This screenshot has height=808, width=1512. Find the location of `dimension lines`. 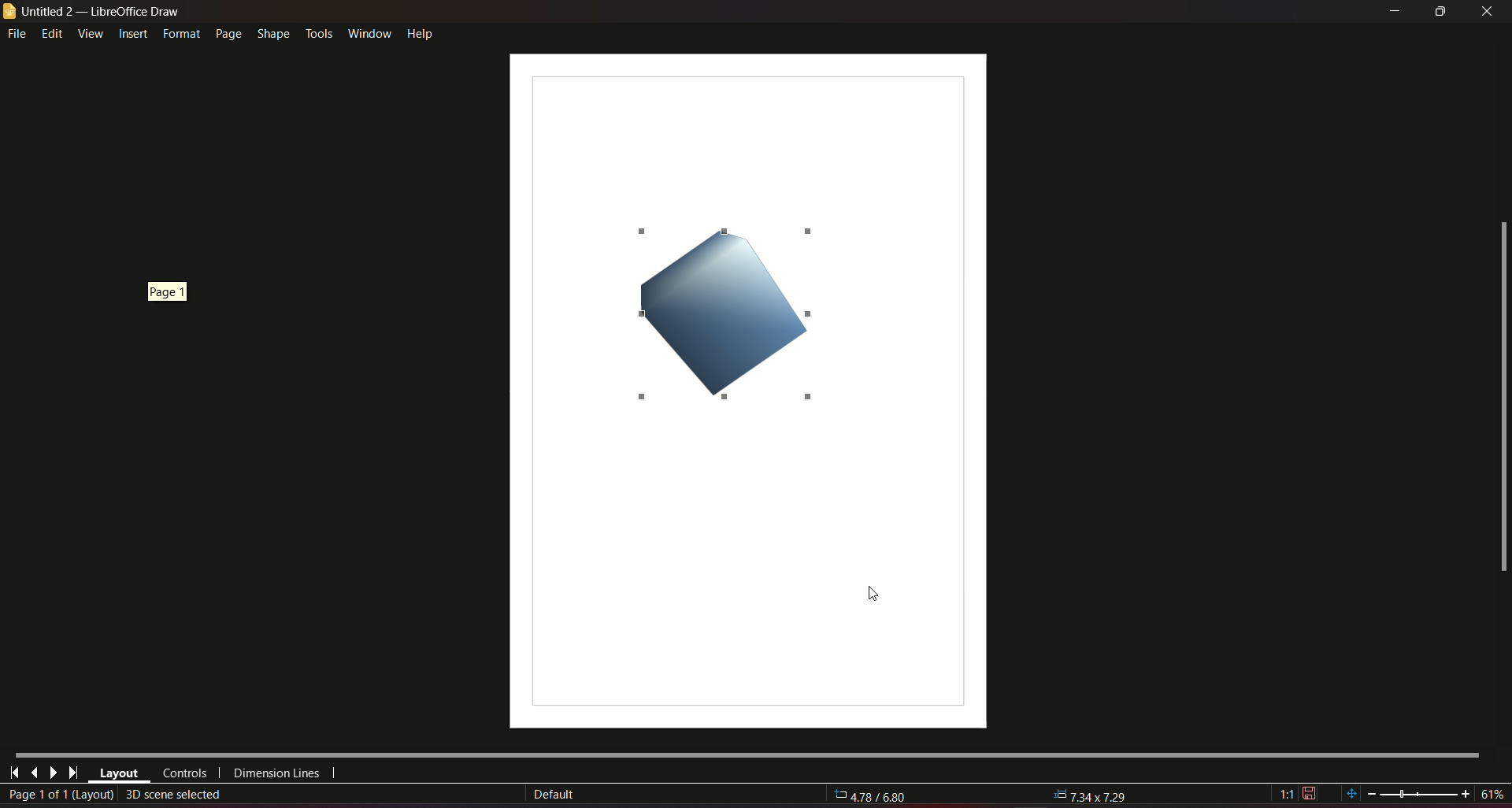

dimension lines is located at coordinates (277, 776).